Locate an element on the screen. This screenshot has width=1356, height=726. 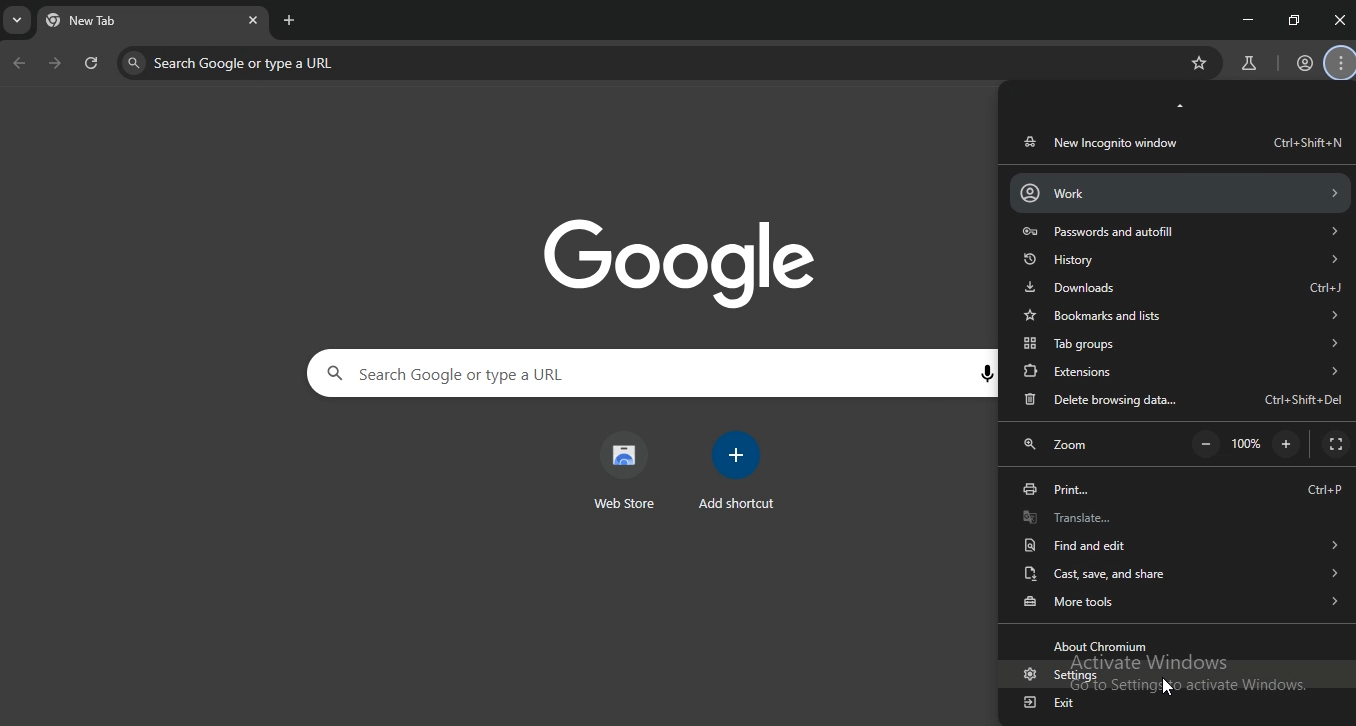
minimize is located at coordinates (1244, 18).